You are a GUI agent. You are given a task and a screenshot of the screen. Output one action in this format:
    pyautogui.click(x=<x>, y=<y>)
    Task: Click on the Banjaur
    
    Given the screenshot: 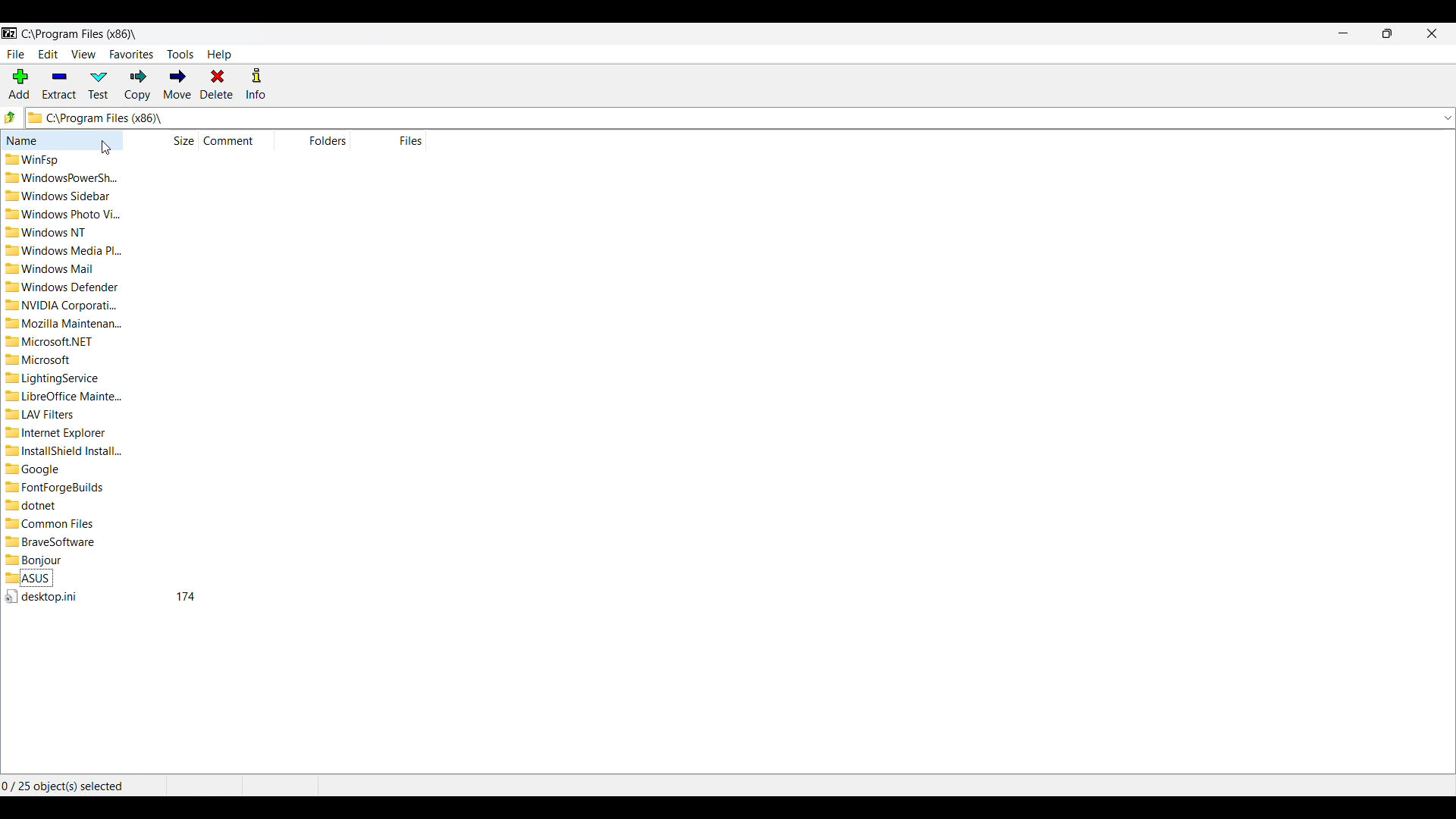 What is the action you would take?
    pyautogui.click(x=39, y=560)
    